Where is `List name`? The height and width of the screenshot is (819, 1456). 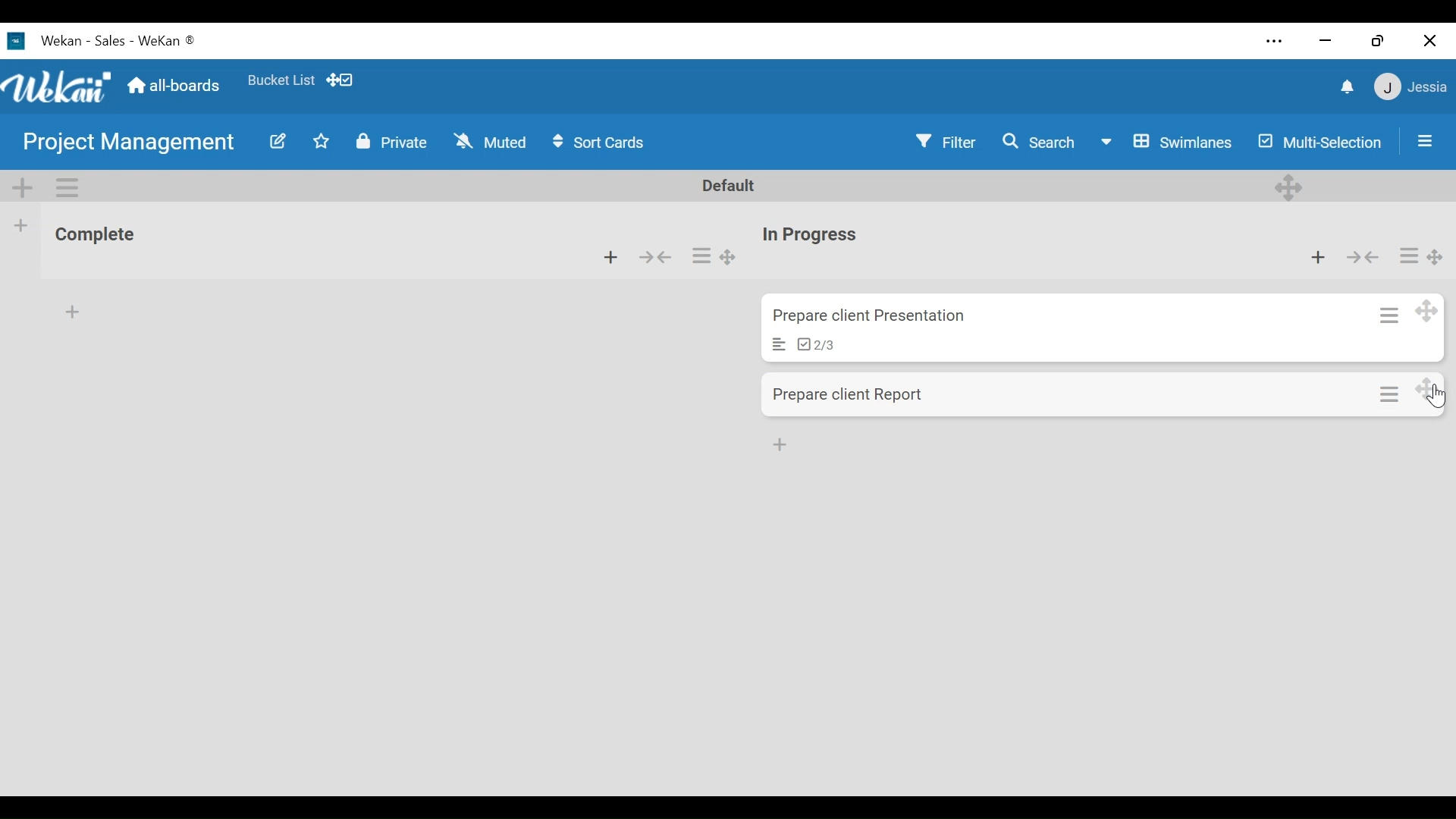
List name is located at coordinates (94, 237).